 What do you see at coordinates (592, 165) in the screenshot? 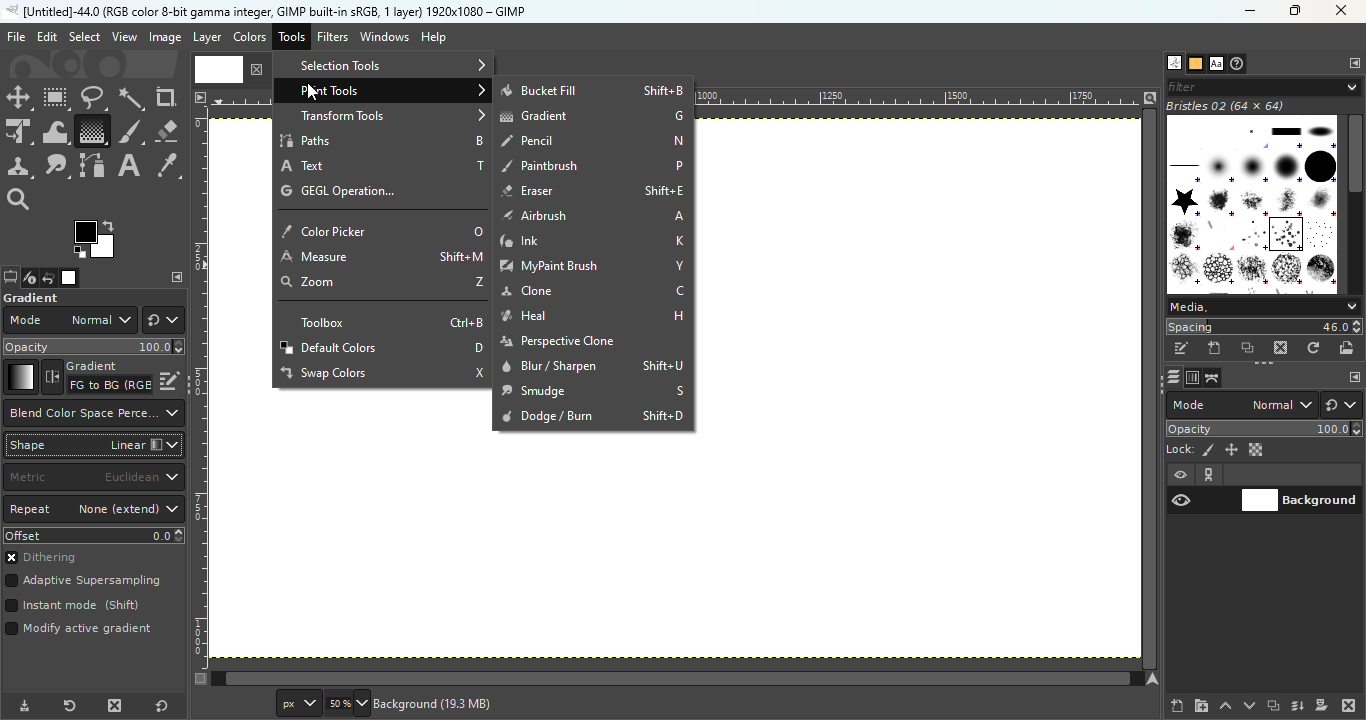
I see `Paintbrush` at bounding box center [592, 165].